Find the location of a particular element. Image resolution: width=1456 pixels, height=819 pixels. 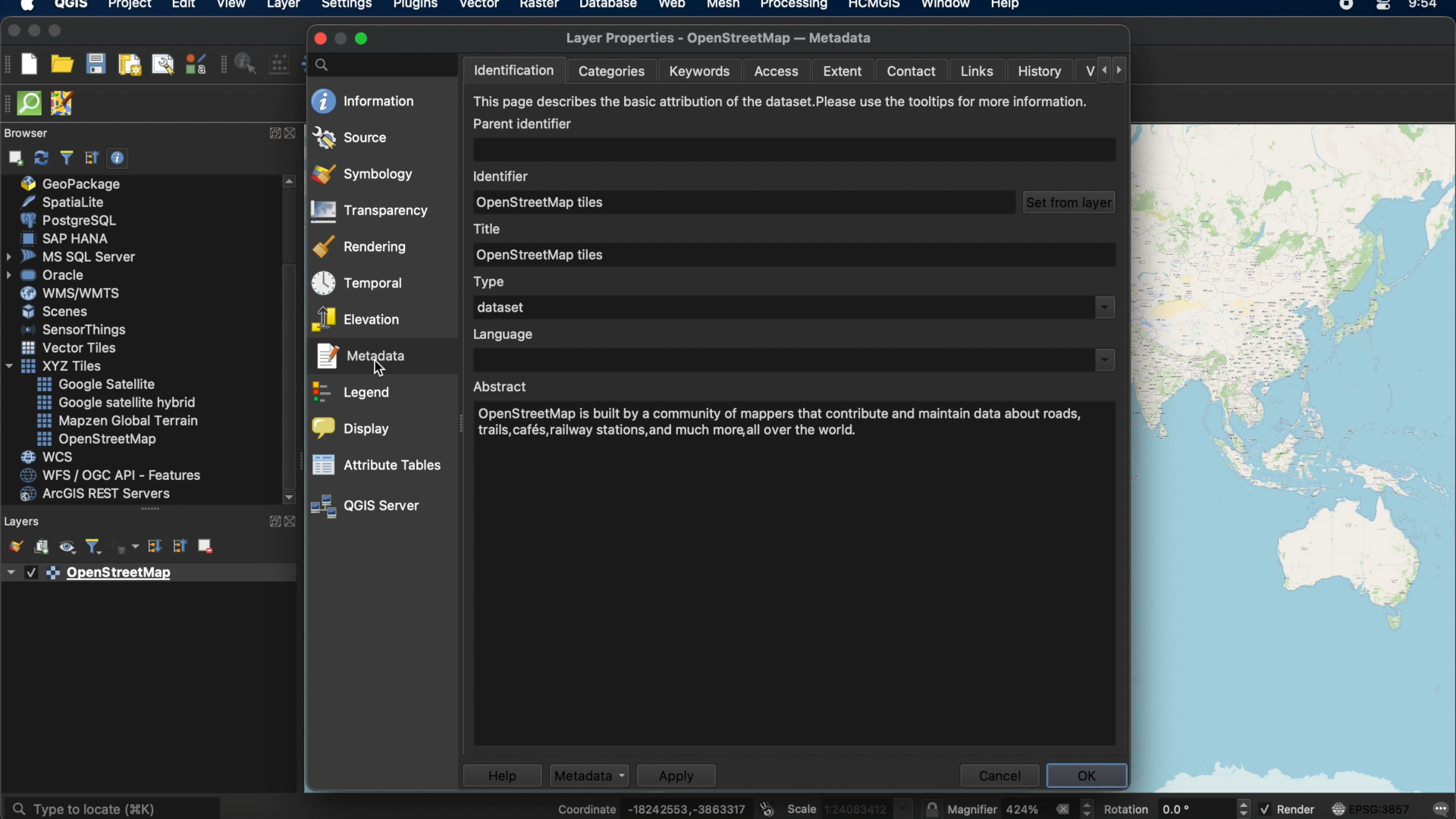

scale is located at coordinates (851, 807).